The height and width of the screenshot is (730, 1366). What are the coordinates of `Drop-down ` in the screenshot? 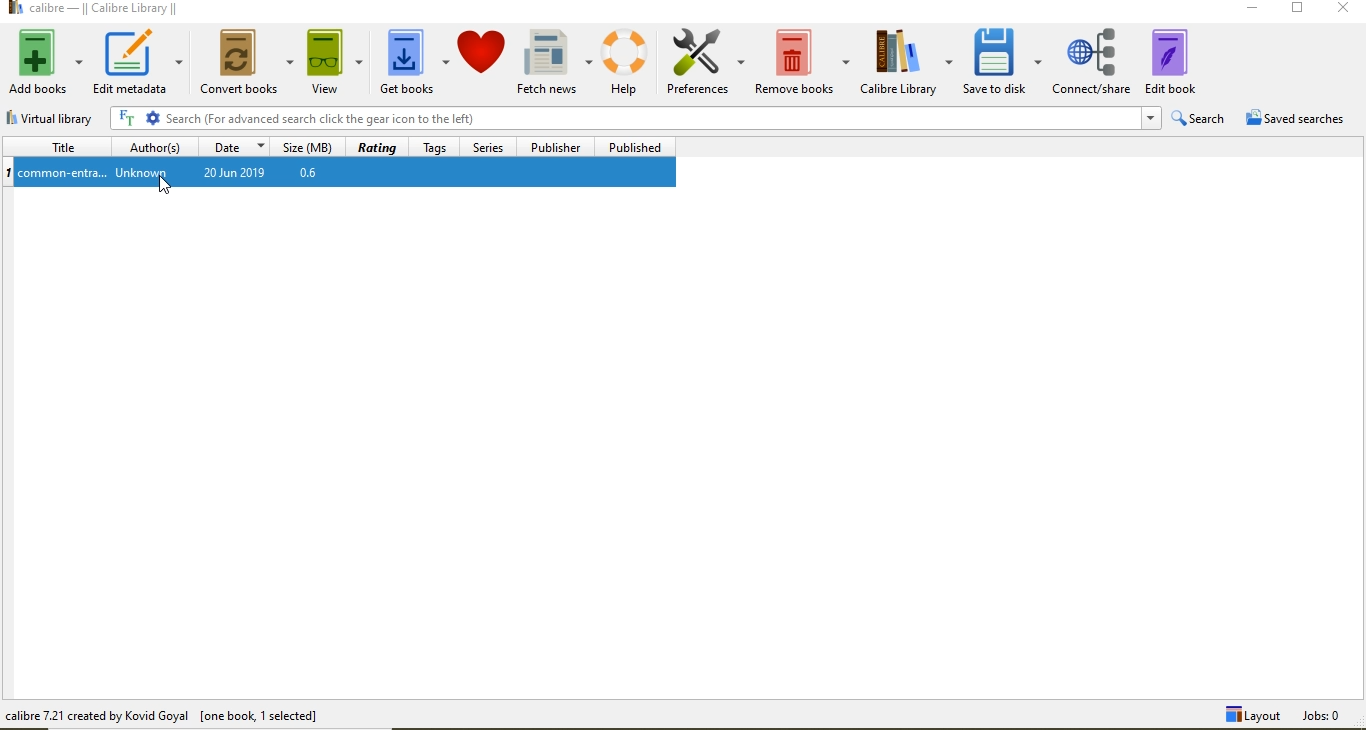 It's located at (1150, 118).